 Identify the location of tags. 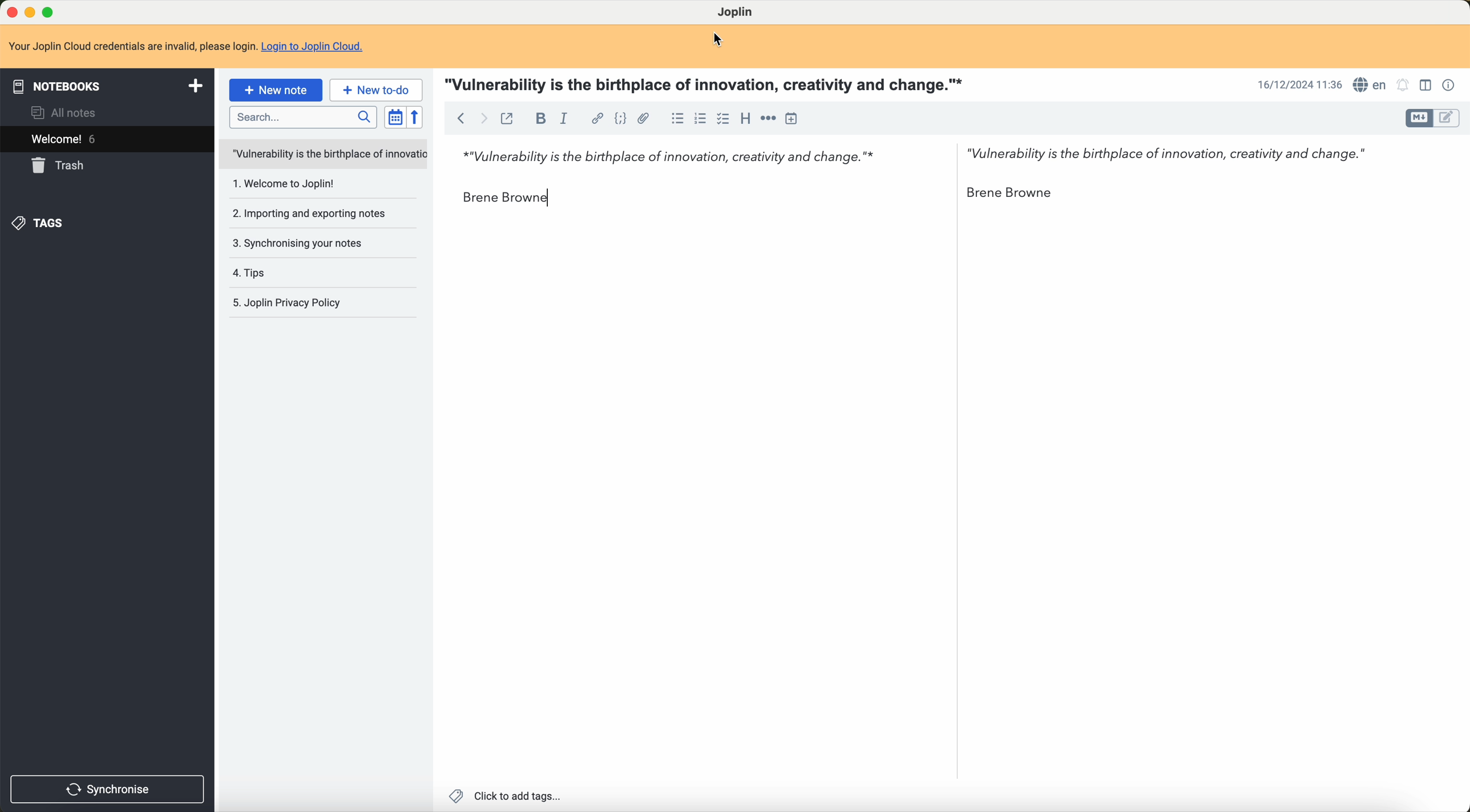
(42, 223).